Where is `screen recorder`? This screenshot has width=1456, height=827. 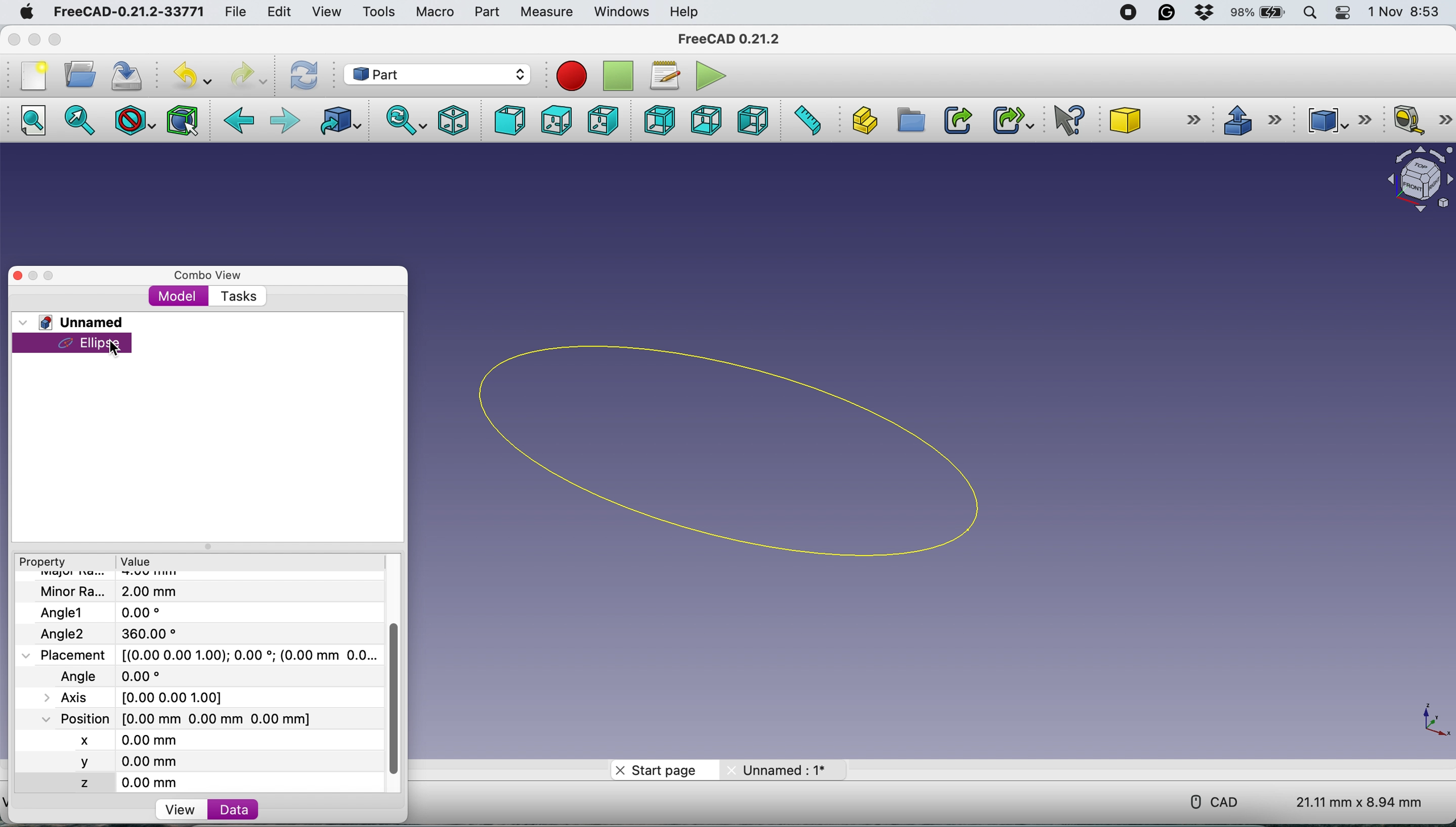 screen recorder is located at coordinates (1130, 12).